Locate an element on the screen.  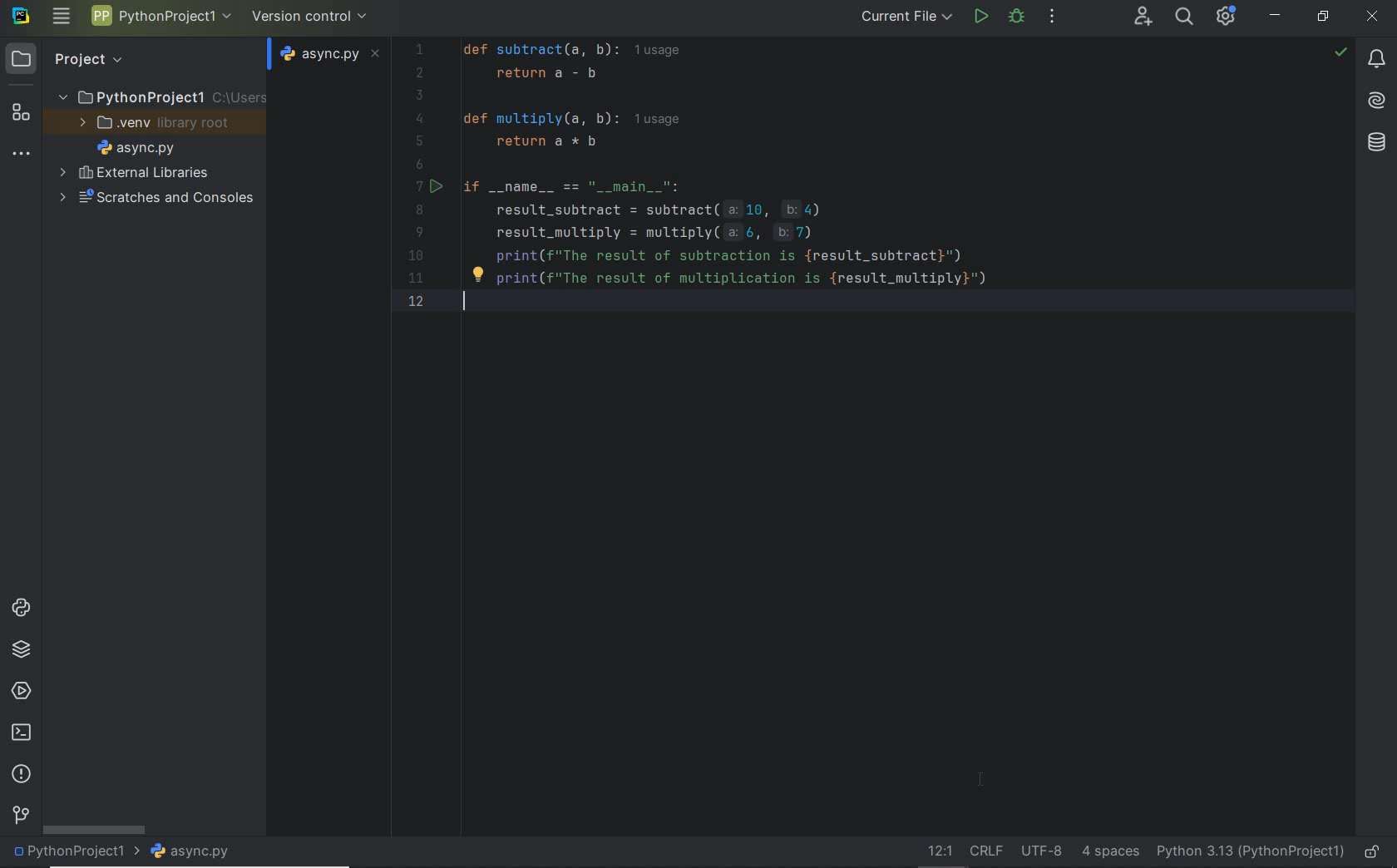
Calculate Subtraction Code is located at coordinates (856, 178).